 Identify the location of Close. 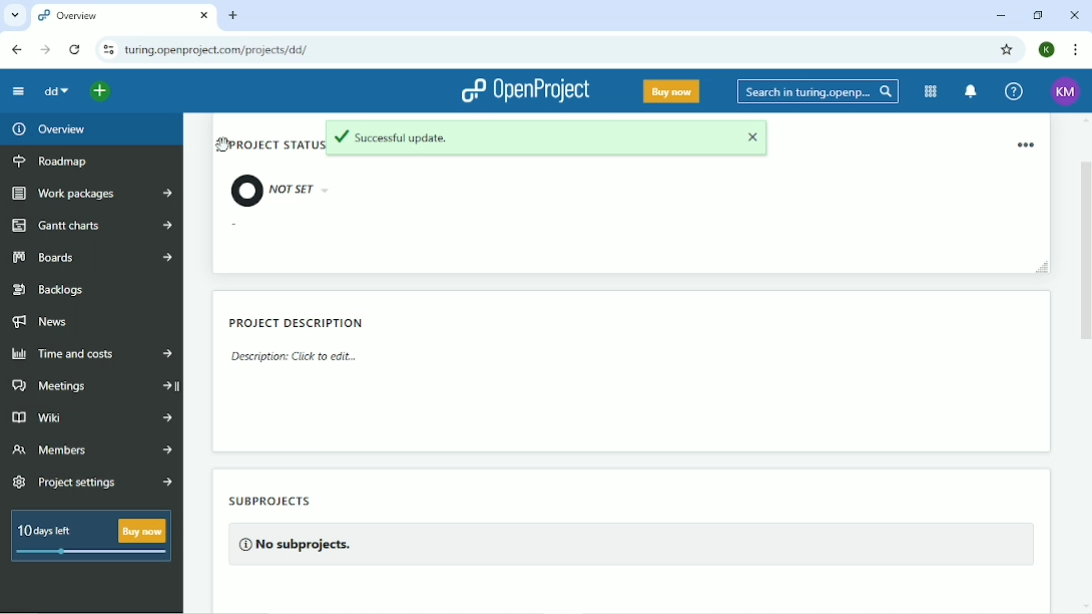
(1075, 16).